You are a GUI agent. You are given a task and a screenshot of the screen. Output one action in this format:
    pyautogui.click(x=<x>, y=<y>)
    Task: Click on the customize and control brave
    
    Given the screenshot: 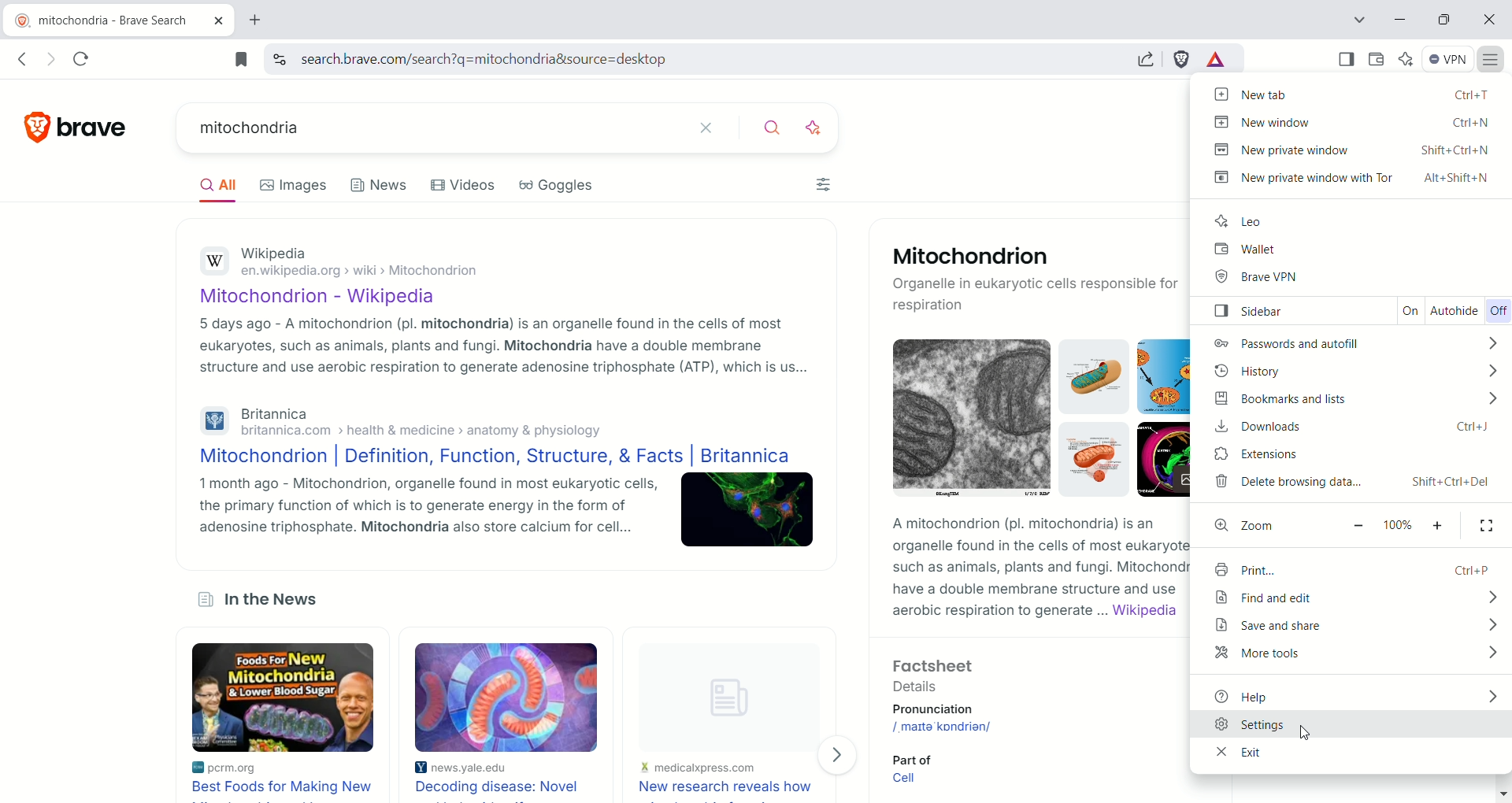 What is the action you would take?
    pyautogui.click(x=1494, y=60)
    